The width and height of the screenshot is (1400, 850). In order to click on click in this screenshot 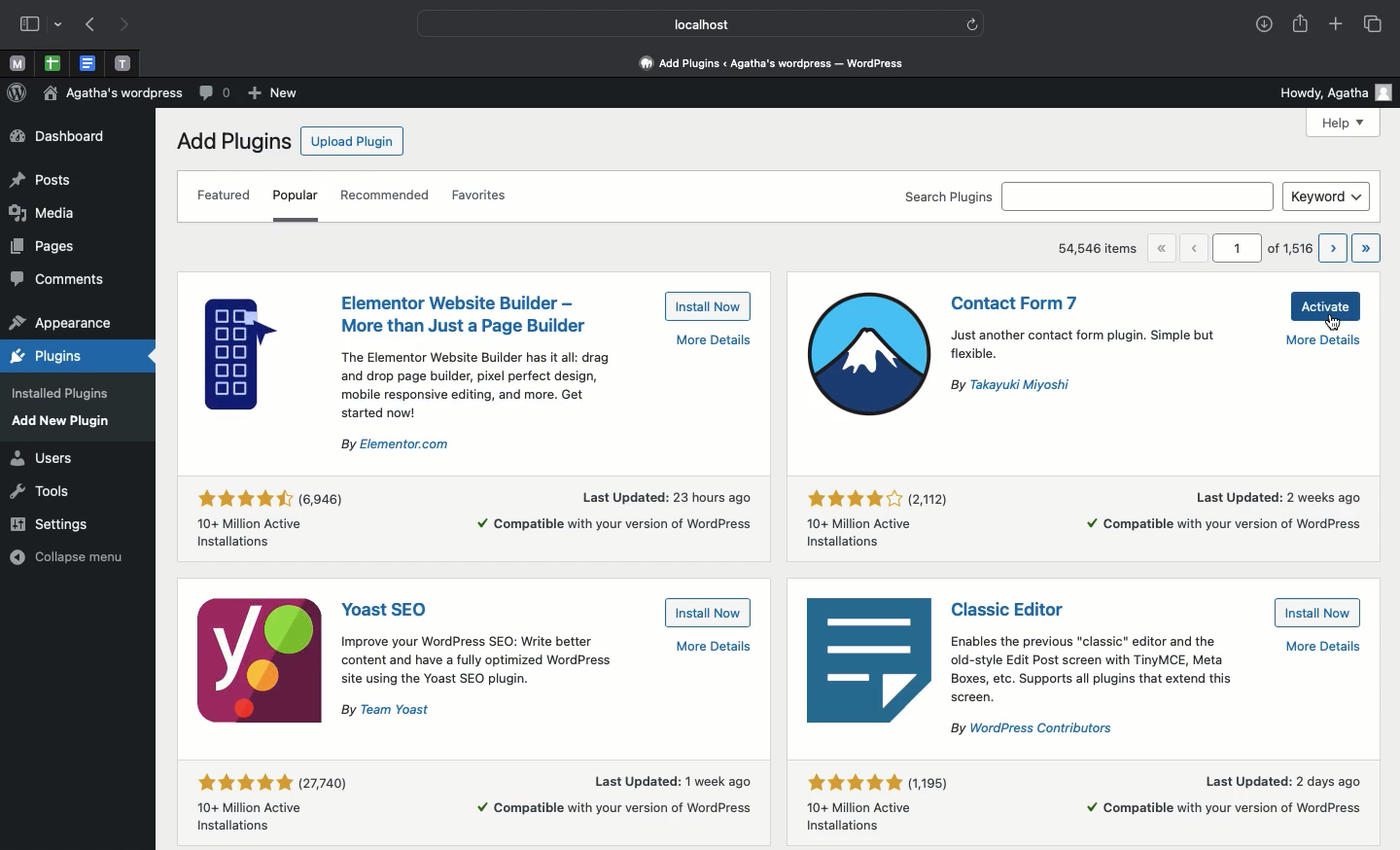, I will do `click(1335, 320)`.